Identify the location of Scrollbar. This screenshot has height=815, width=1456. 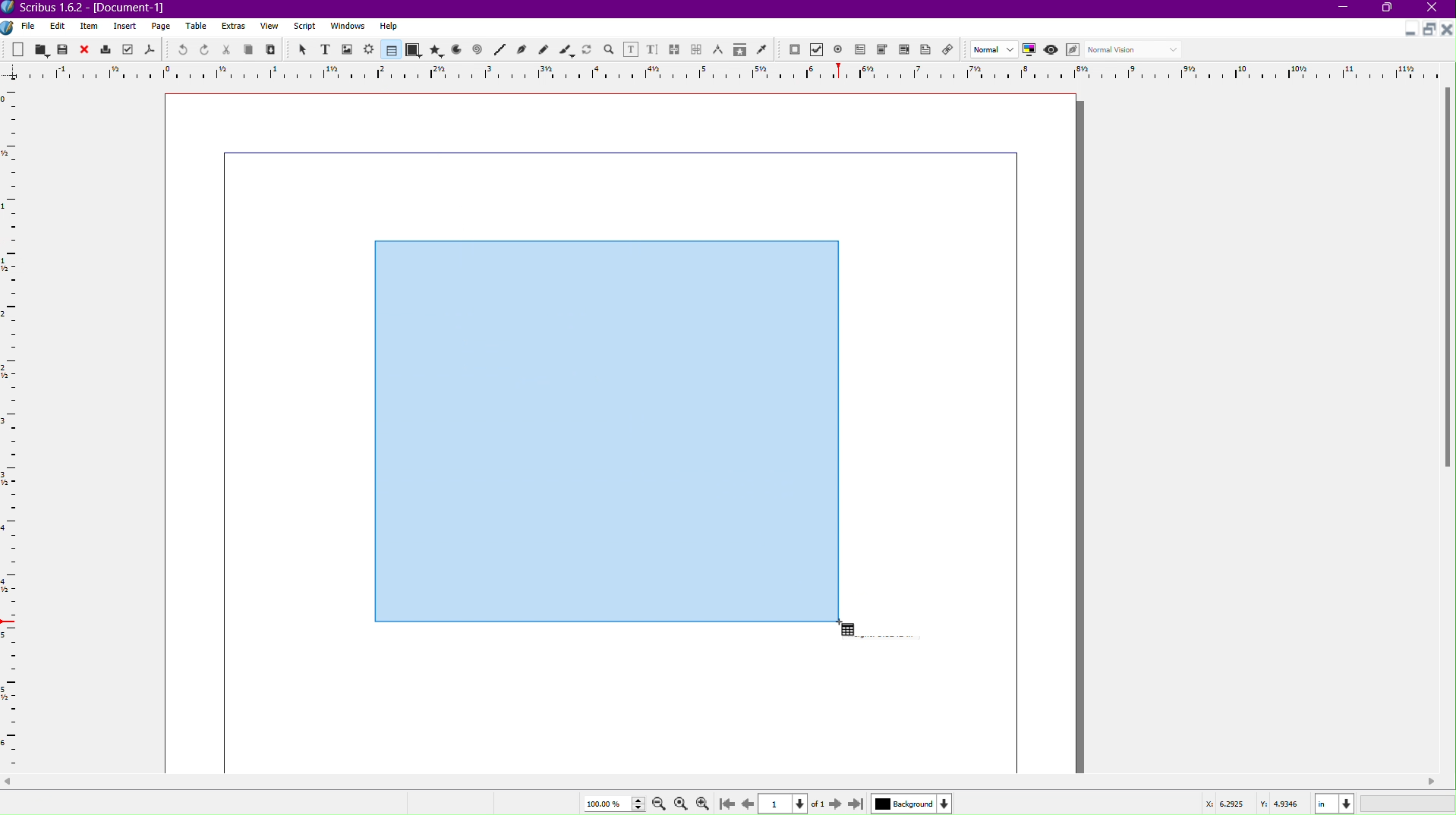
(1446, 282).